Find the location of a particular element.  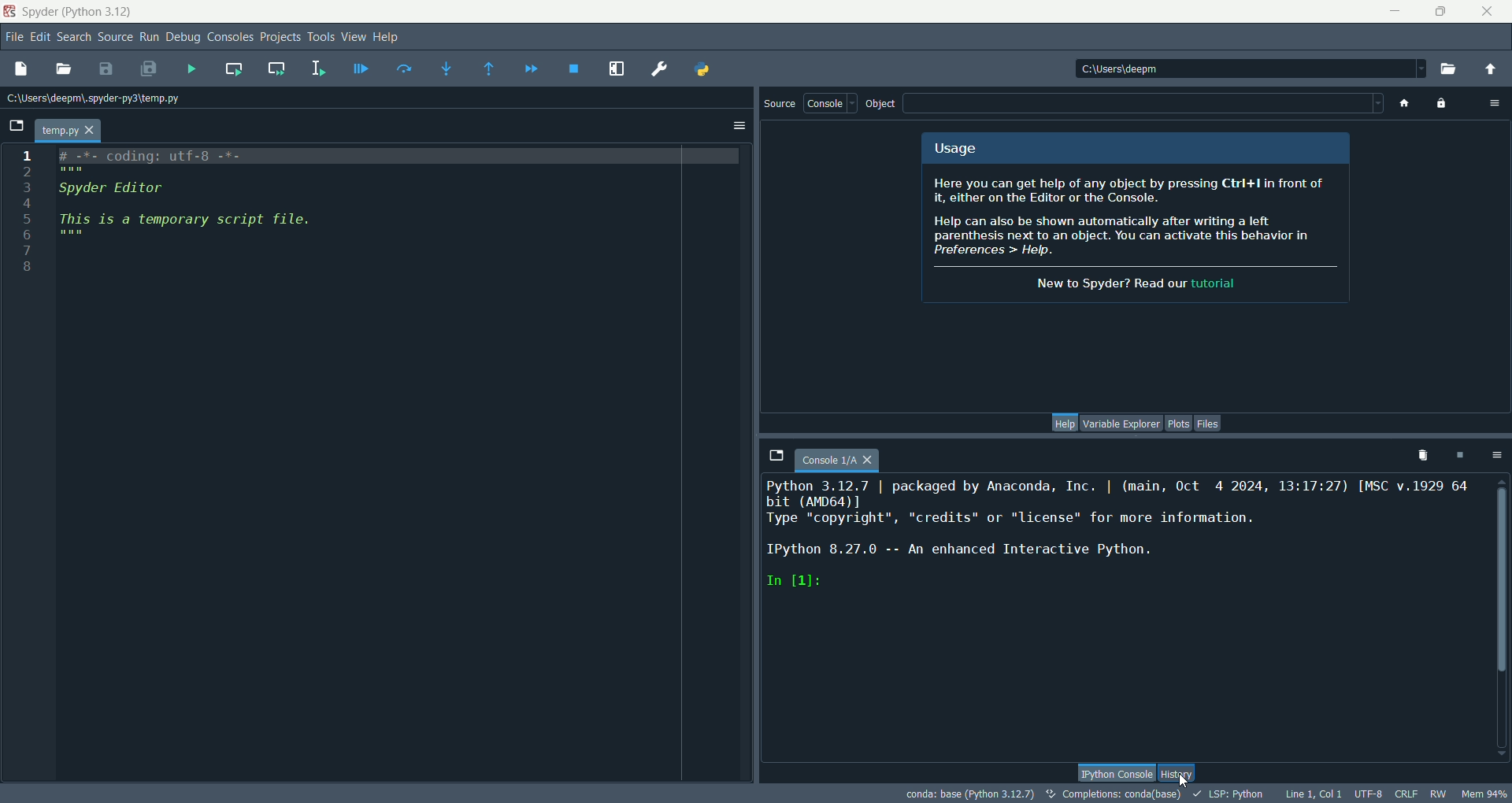

blank space is located at coordinates (1150, 104).